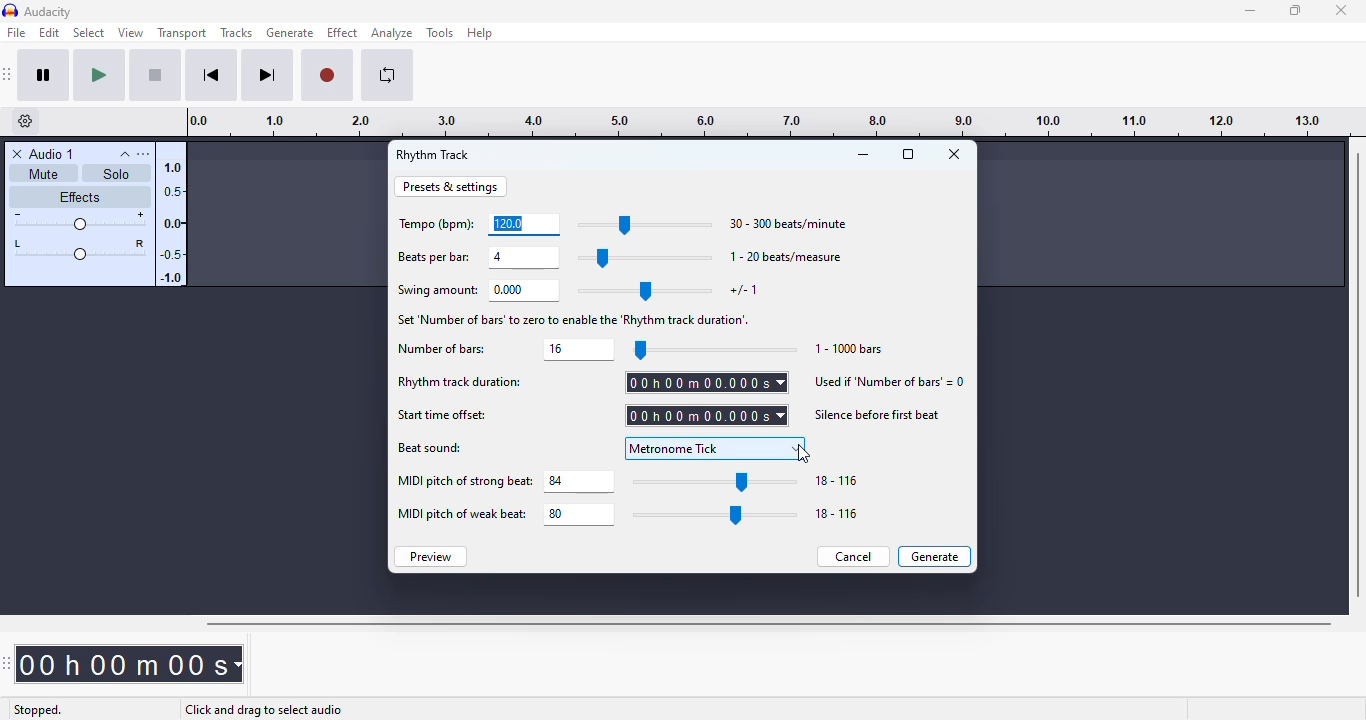 The image size is (1366, 720). Describe the element at coordinates (862, 154) in the screenshot. I see `minimize` at that location.